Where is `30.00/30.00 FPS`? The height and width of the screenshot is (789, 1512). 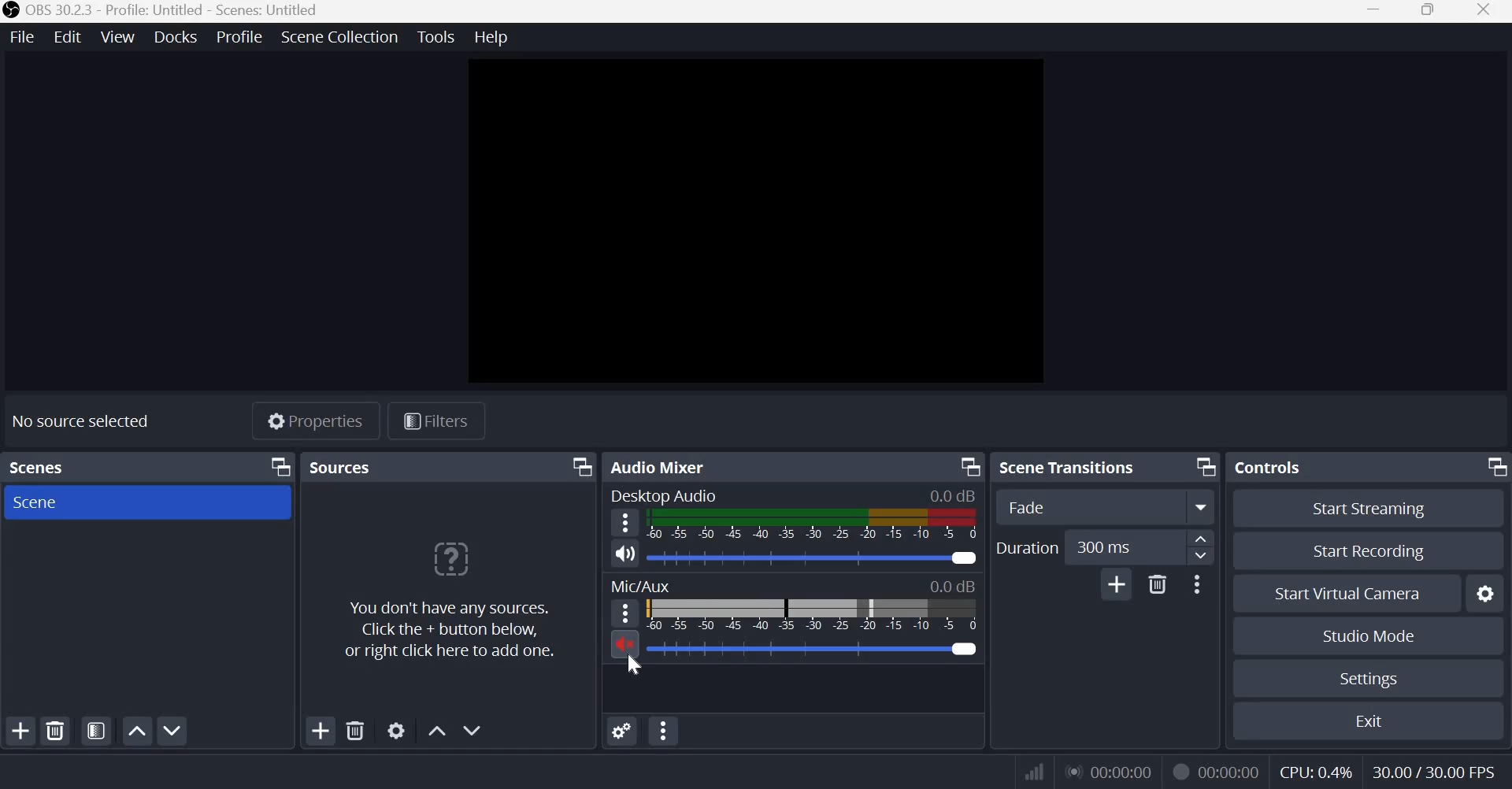
30.00/30.00 FPS is located at coordinates (1436, 770).